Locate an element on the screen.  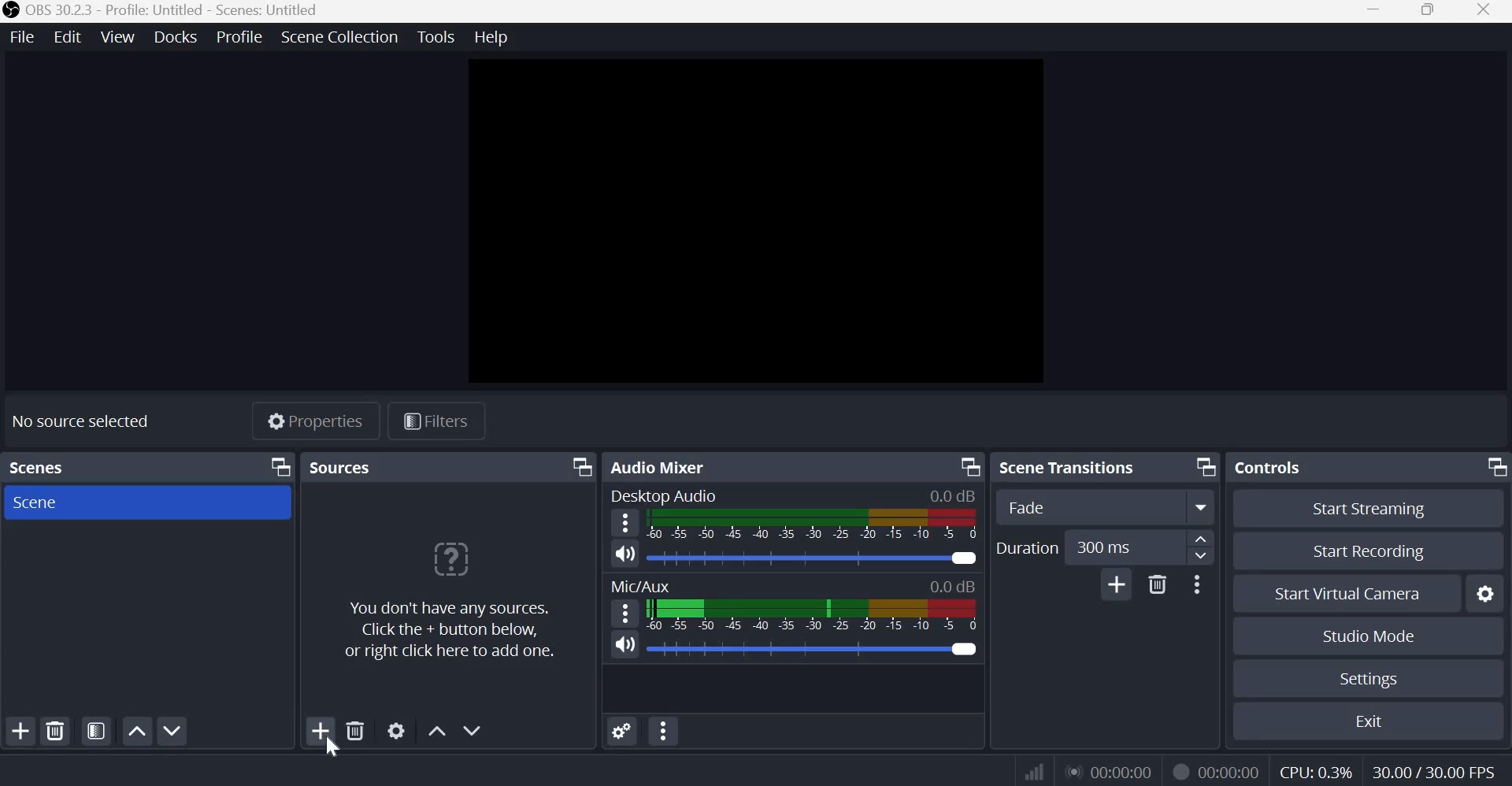
Start Virual Camera is located at coordinates (1347, 595).